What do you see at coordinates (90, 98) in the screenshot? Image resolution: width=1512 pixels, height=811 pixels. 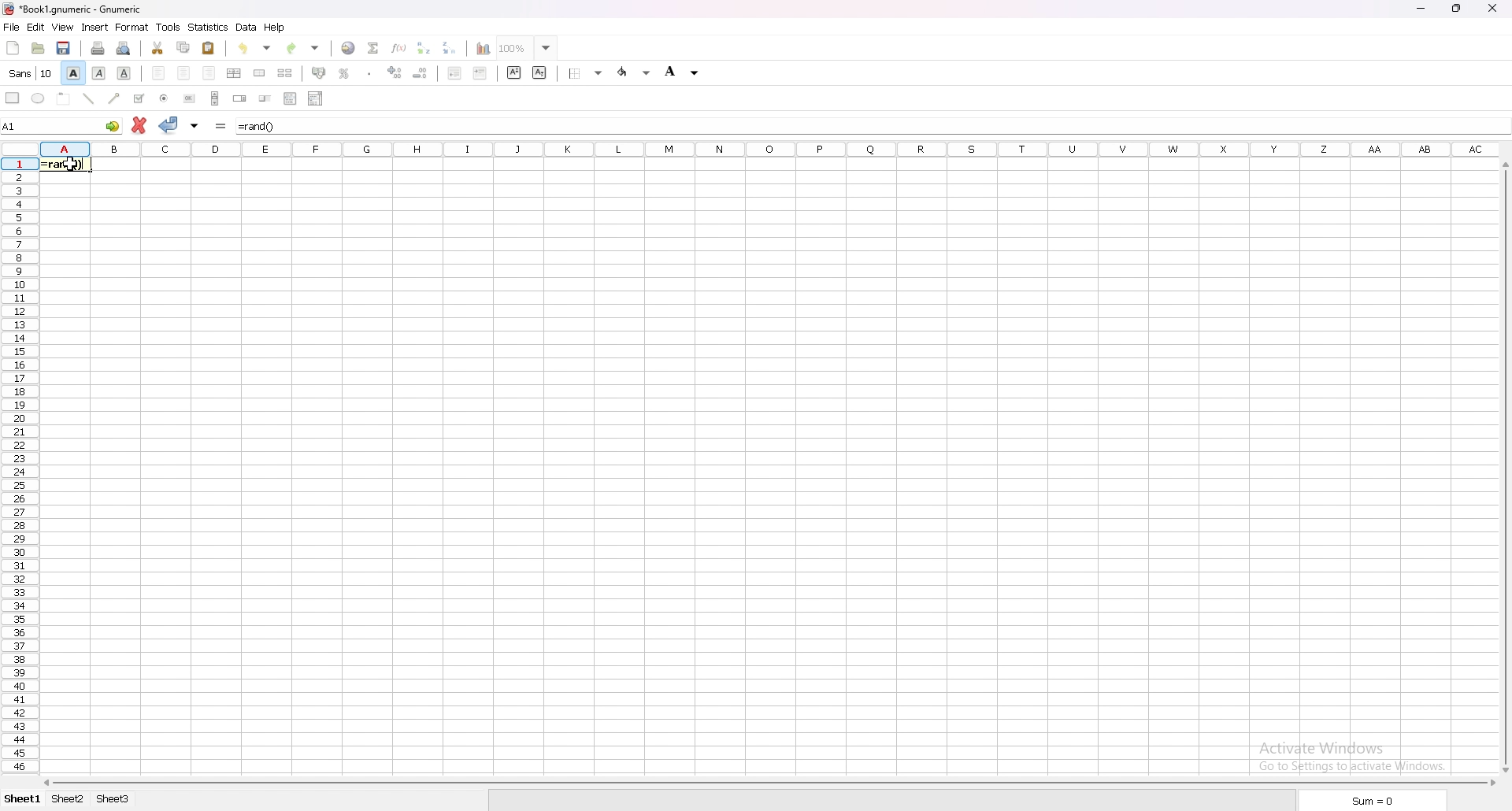 I see `line` at bounding box center [90, 98].